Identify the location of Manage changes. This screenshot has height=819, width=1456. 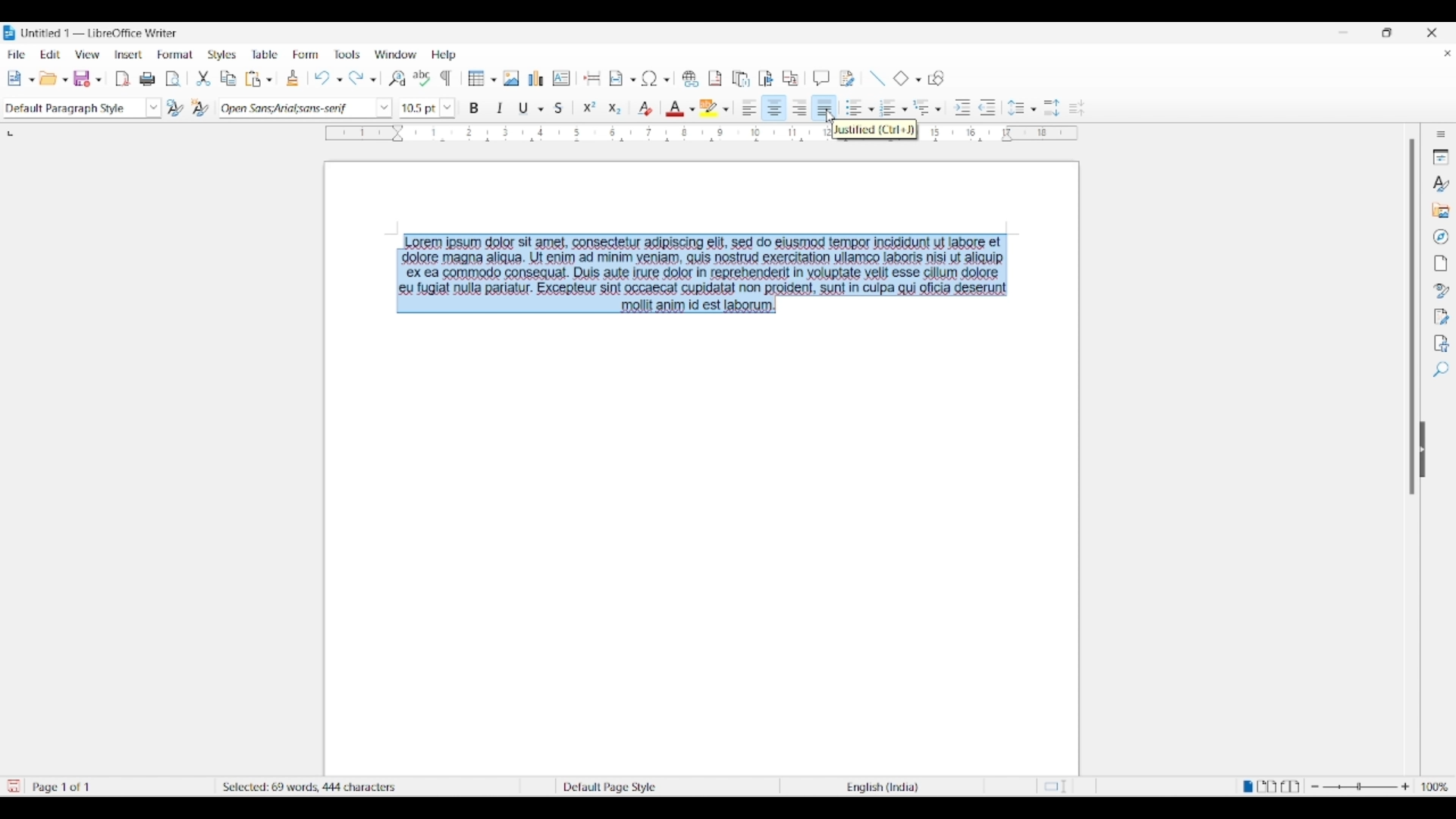
(1442, 317).